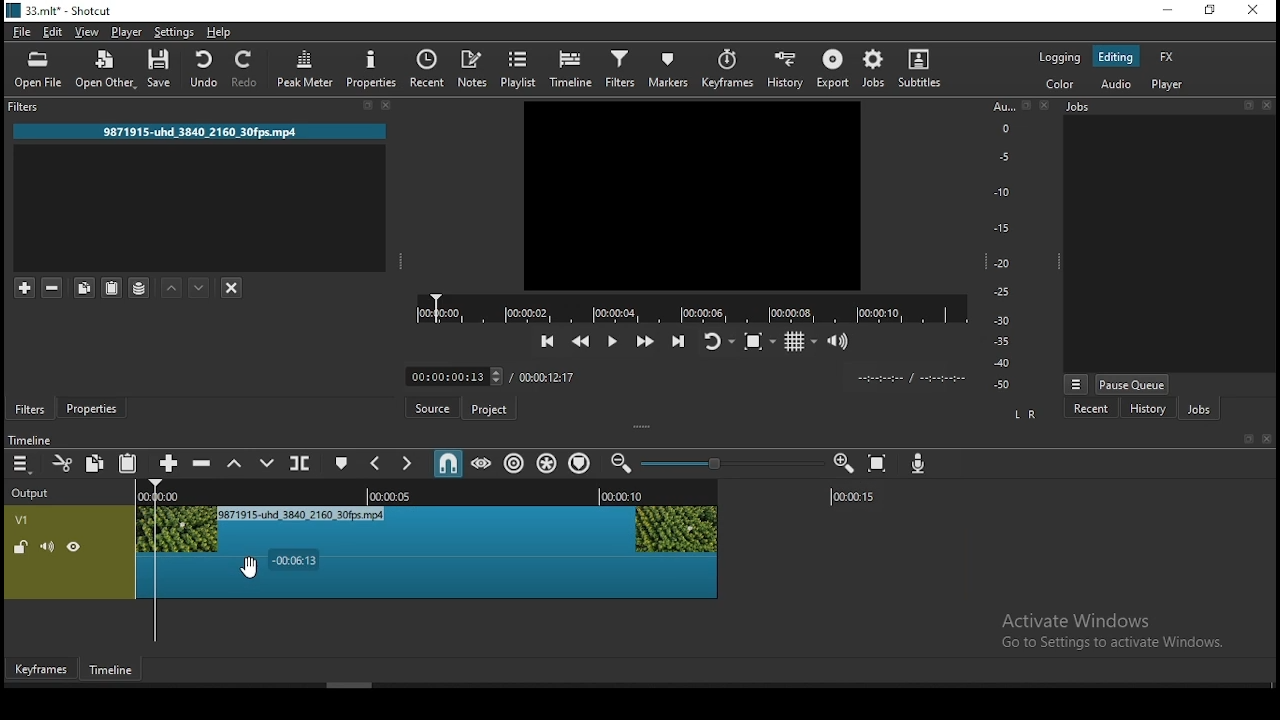 This screenshot has height=720, width=1280. What do you see at coordinates (691, 194) in the screenshot?
I see `preview` at bounding box center [691, 194].